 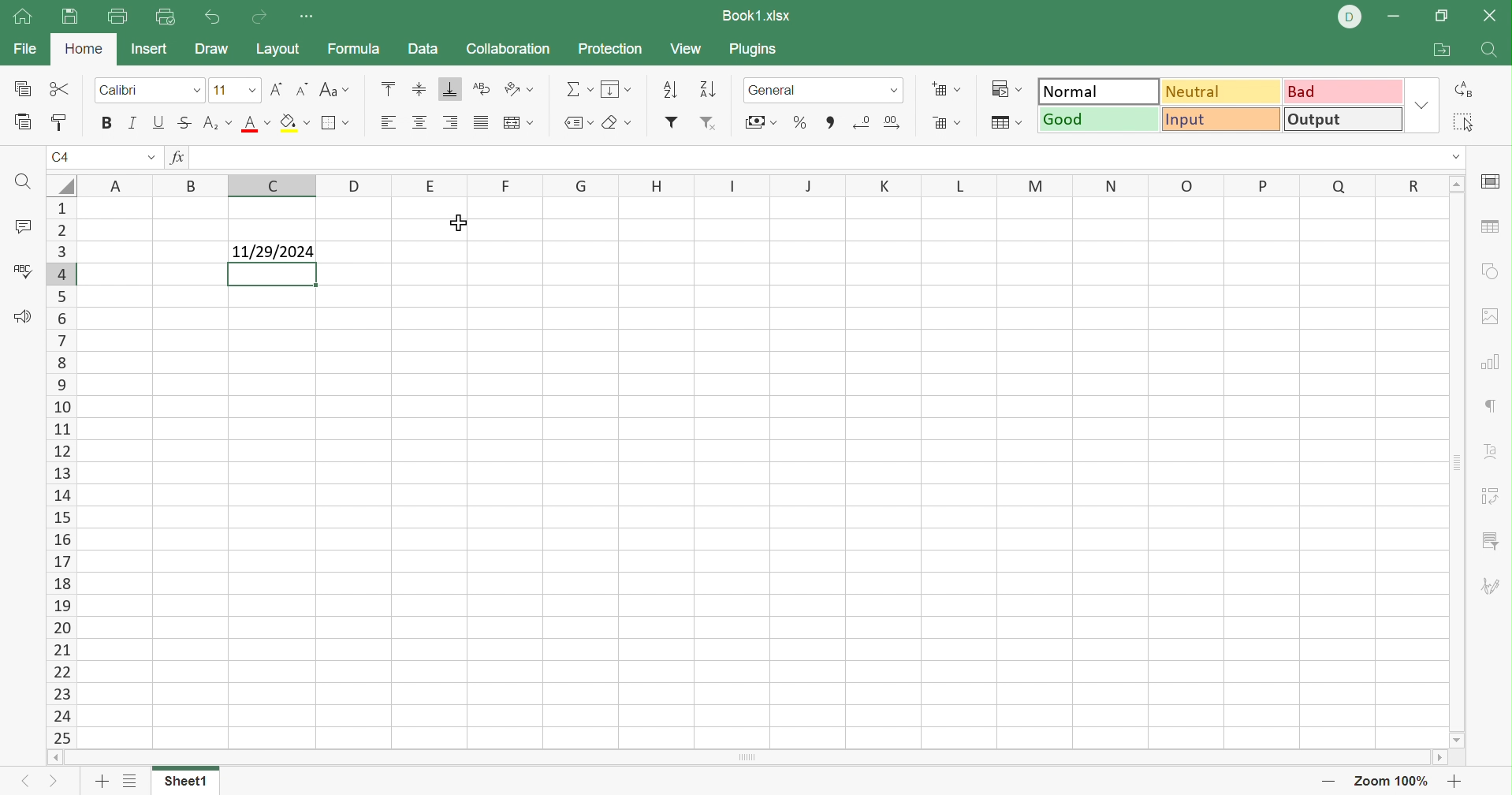 What do you see at coordinates (167, 20) in the screenshot?
I see `Quick Print` at bounding box center [167, 20].